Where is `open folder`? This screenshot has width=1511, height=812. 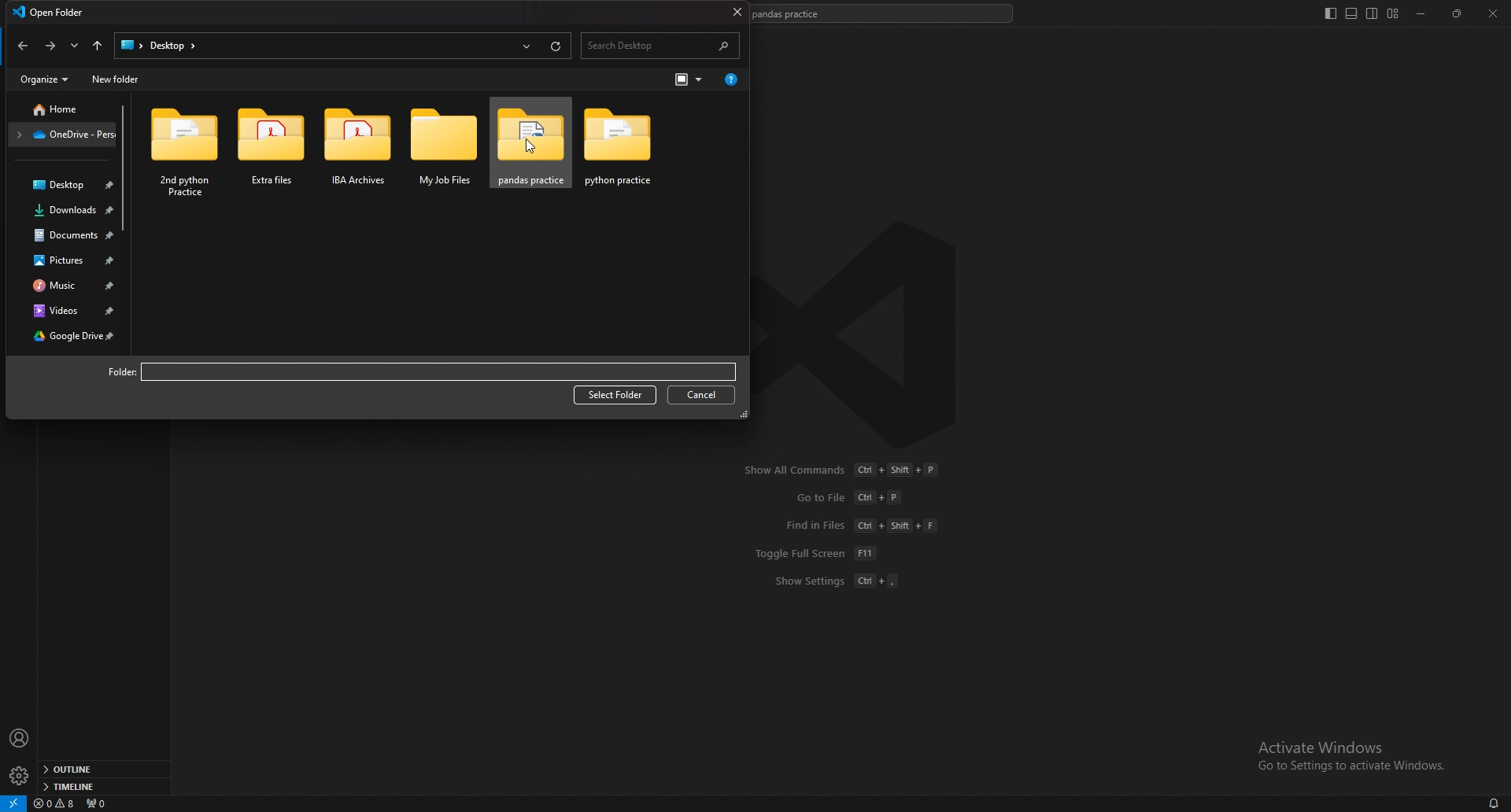
open folder is located at coordinates (51, 12).